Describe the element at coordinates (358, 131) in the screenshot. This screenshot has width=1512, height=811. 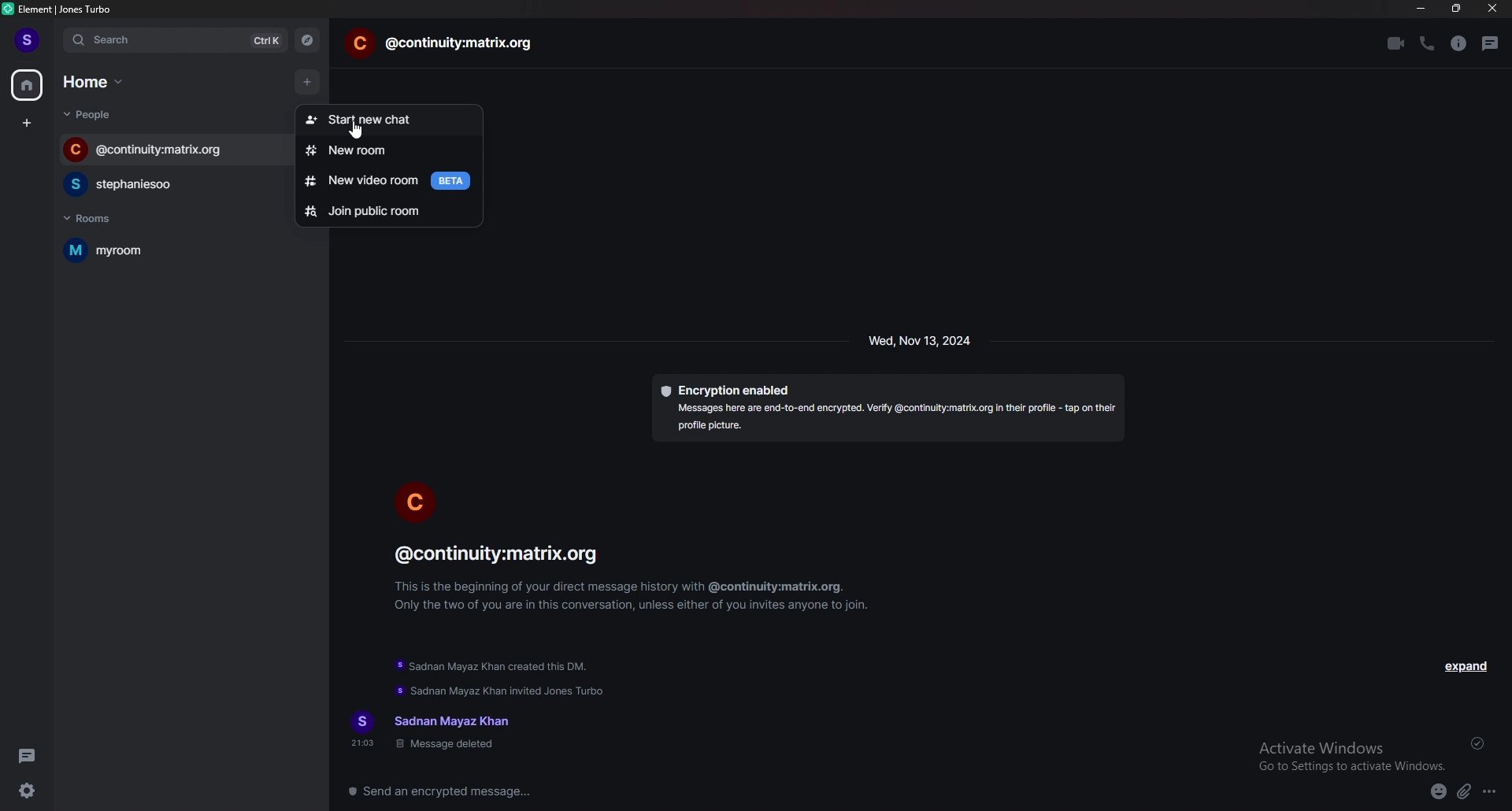
I see `cursor` at that location.